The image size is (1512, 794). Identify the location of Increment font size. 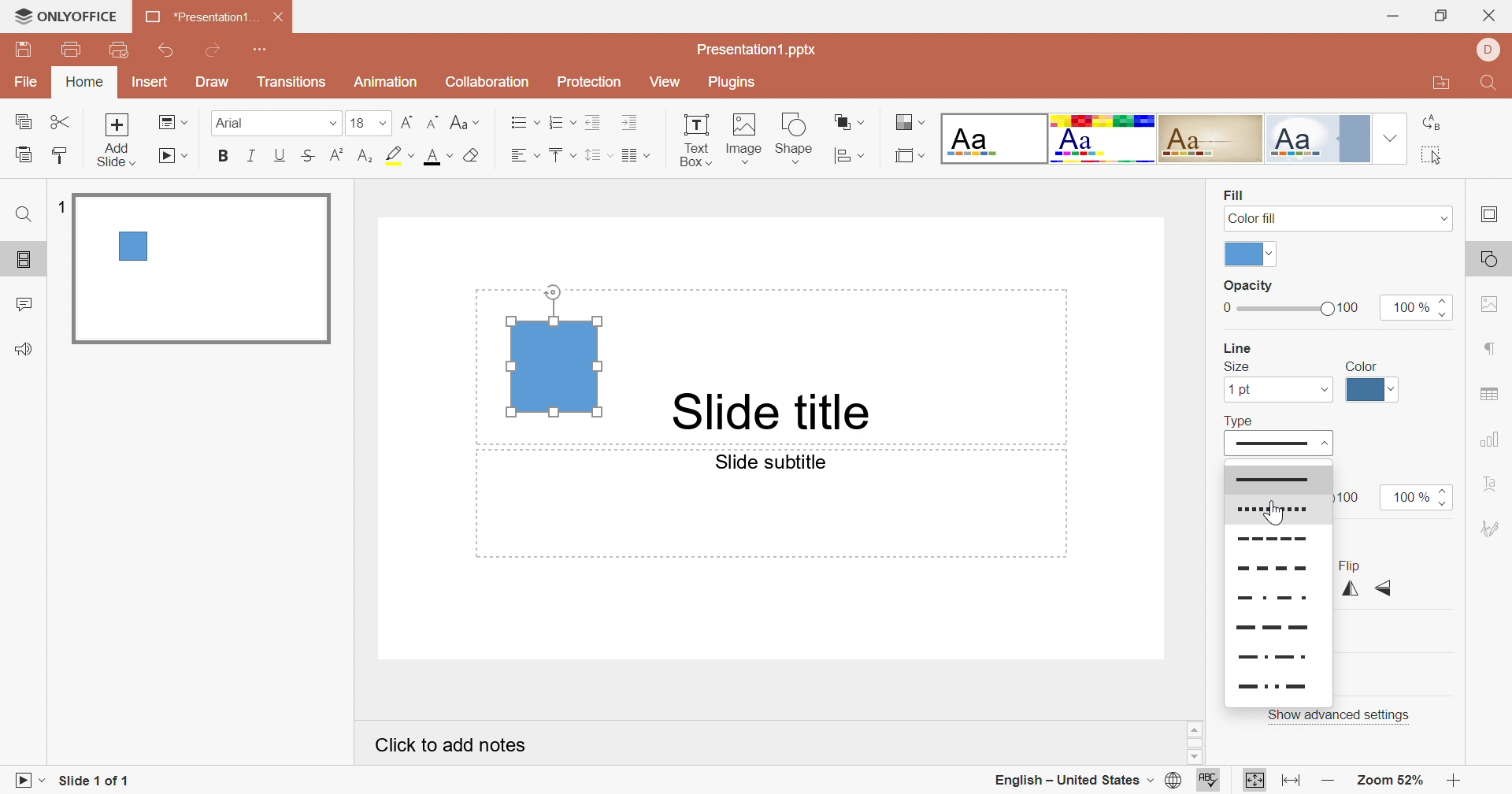
(403, 125).